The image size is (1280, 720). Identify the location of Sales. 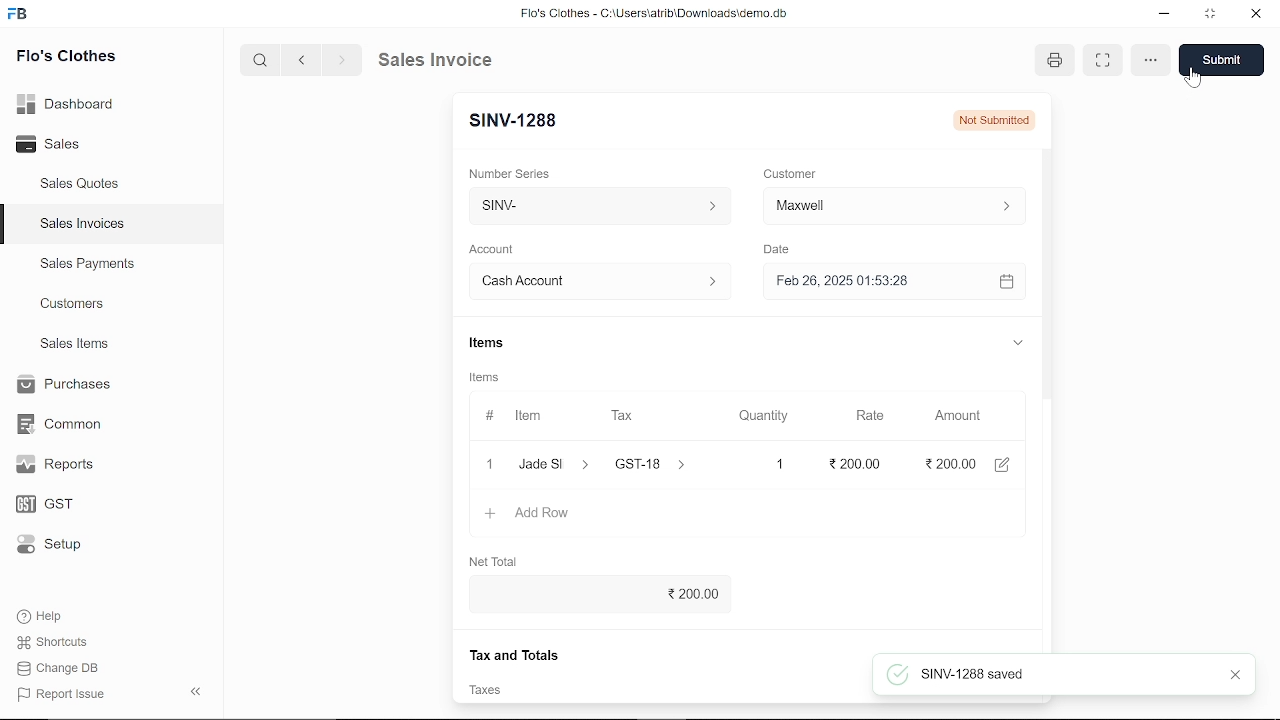
(70, 145).